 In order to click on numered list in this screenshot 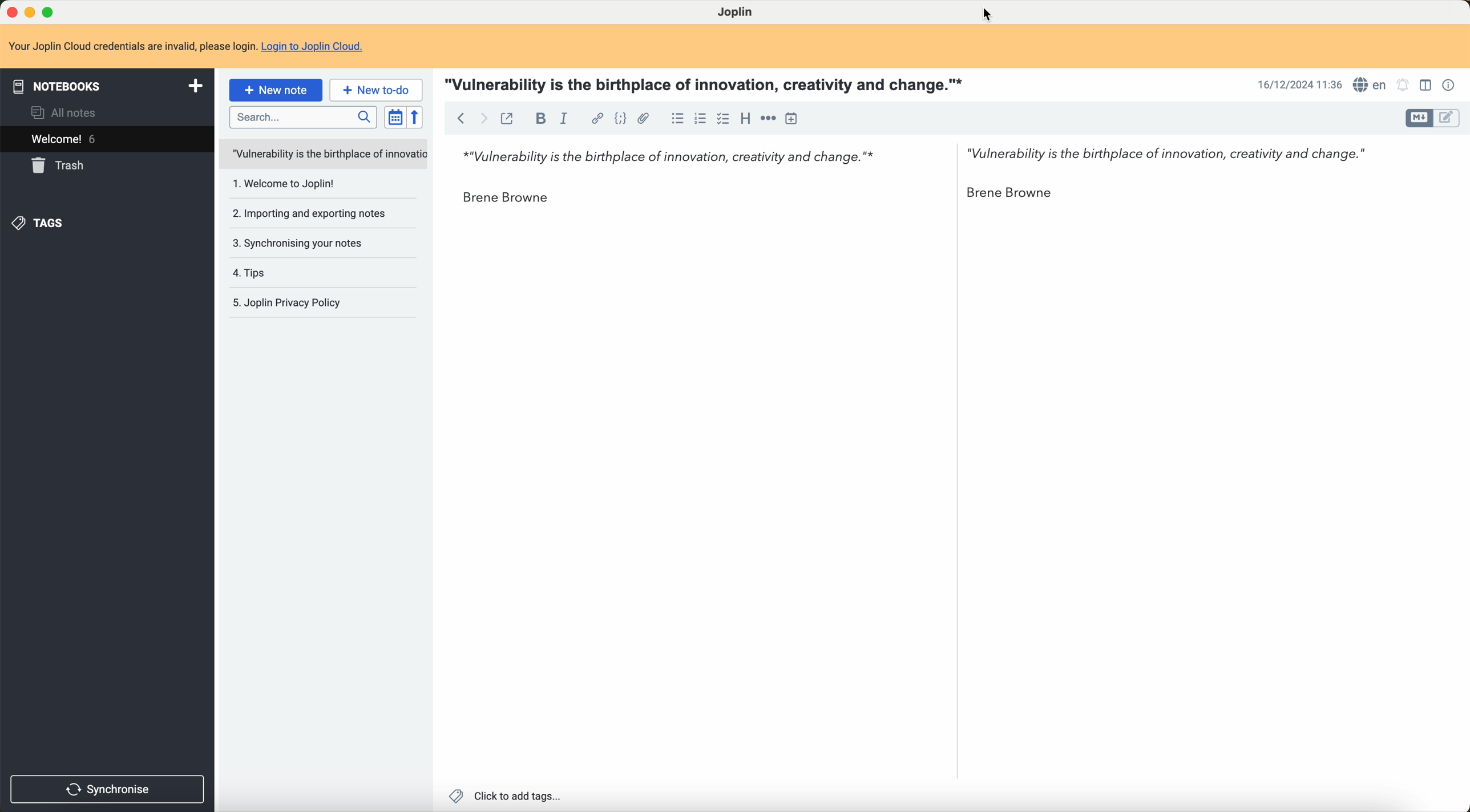, I will do `click(699, 121)`.